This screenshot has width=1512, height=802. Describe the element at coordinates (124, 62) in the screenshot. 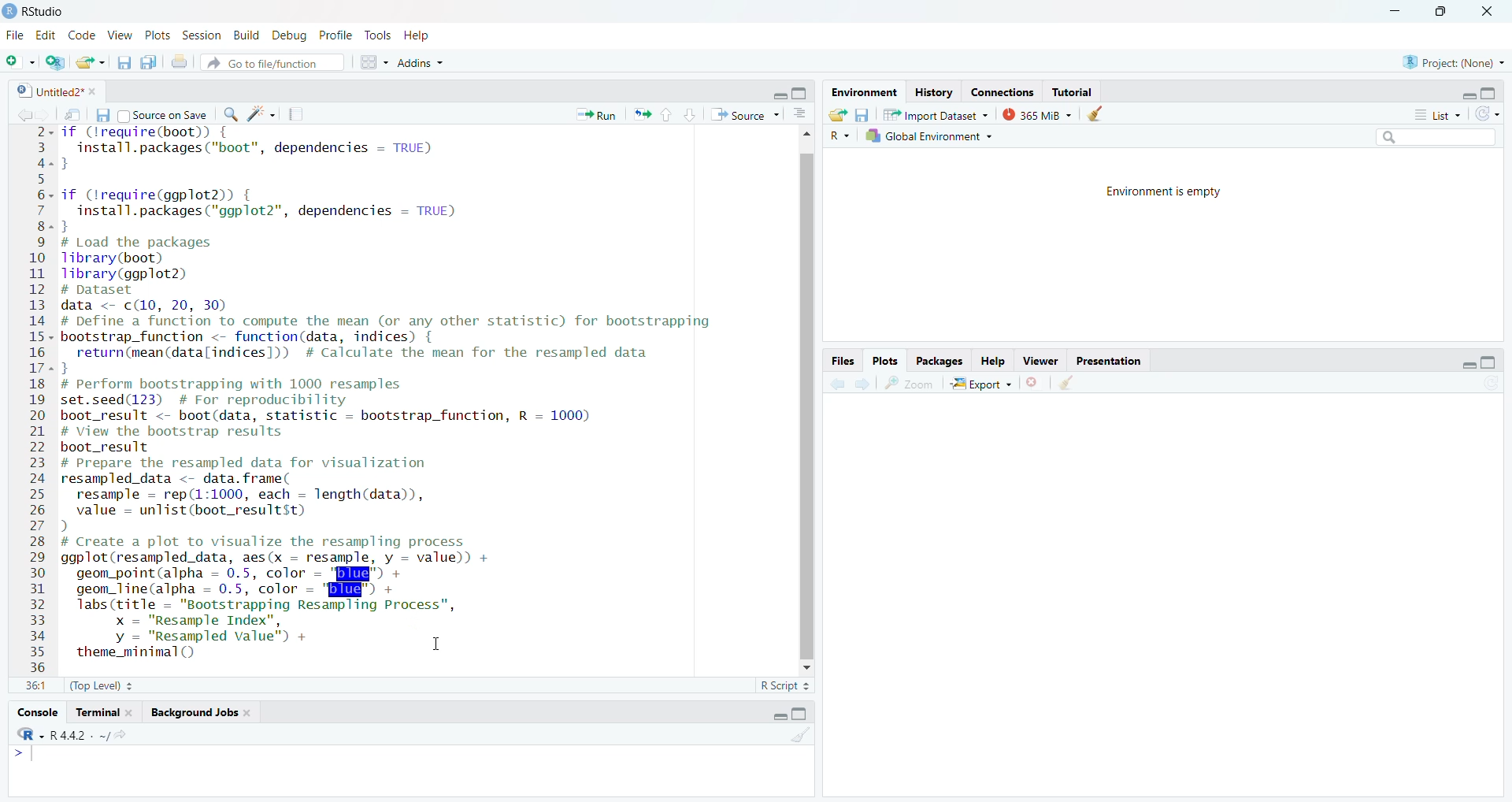

I see `save current document` at that location.